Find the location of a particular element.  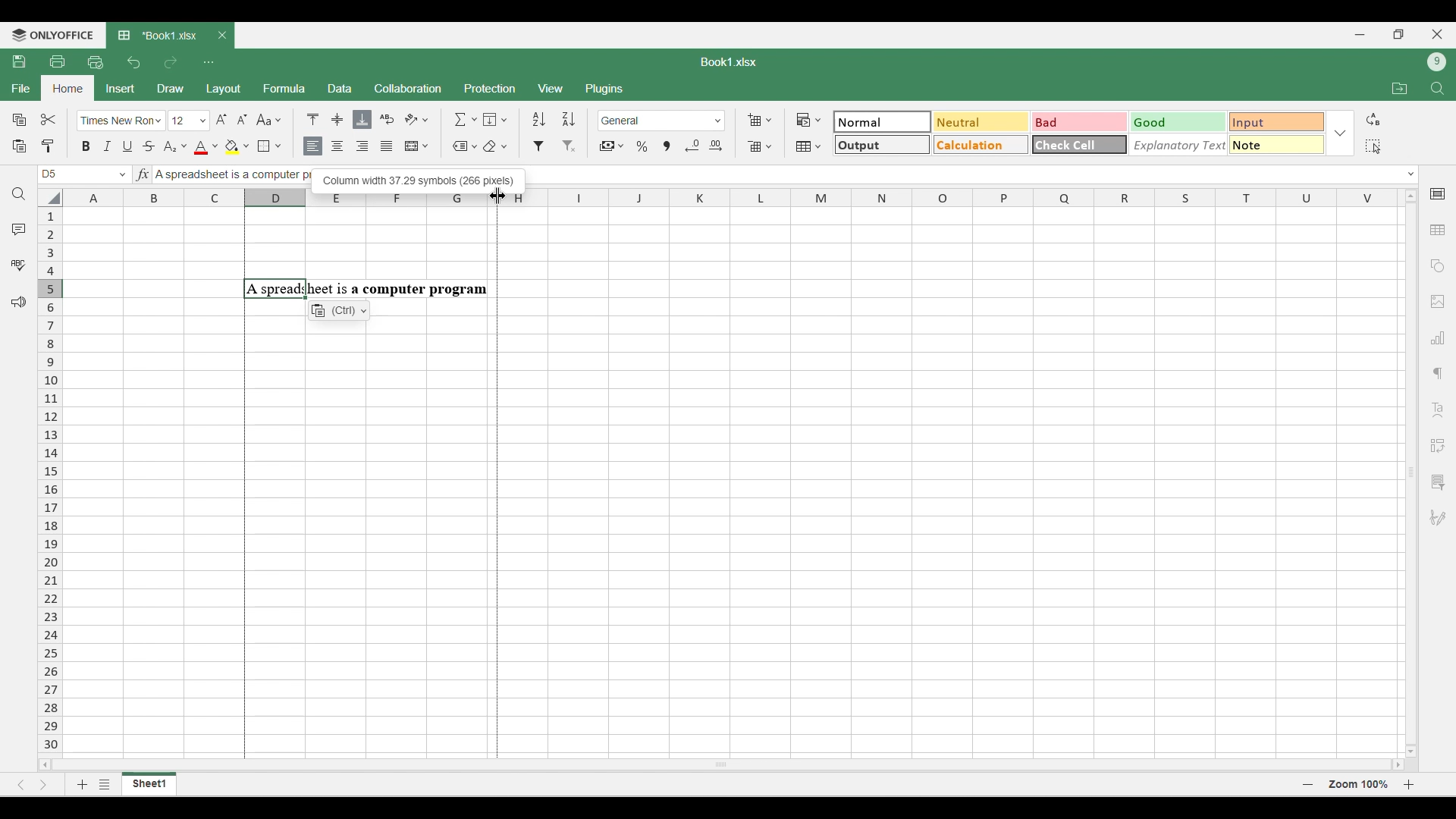

Expand type space is located at coordinates (1411, 174).